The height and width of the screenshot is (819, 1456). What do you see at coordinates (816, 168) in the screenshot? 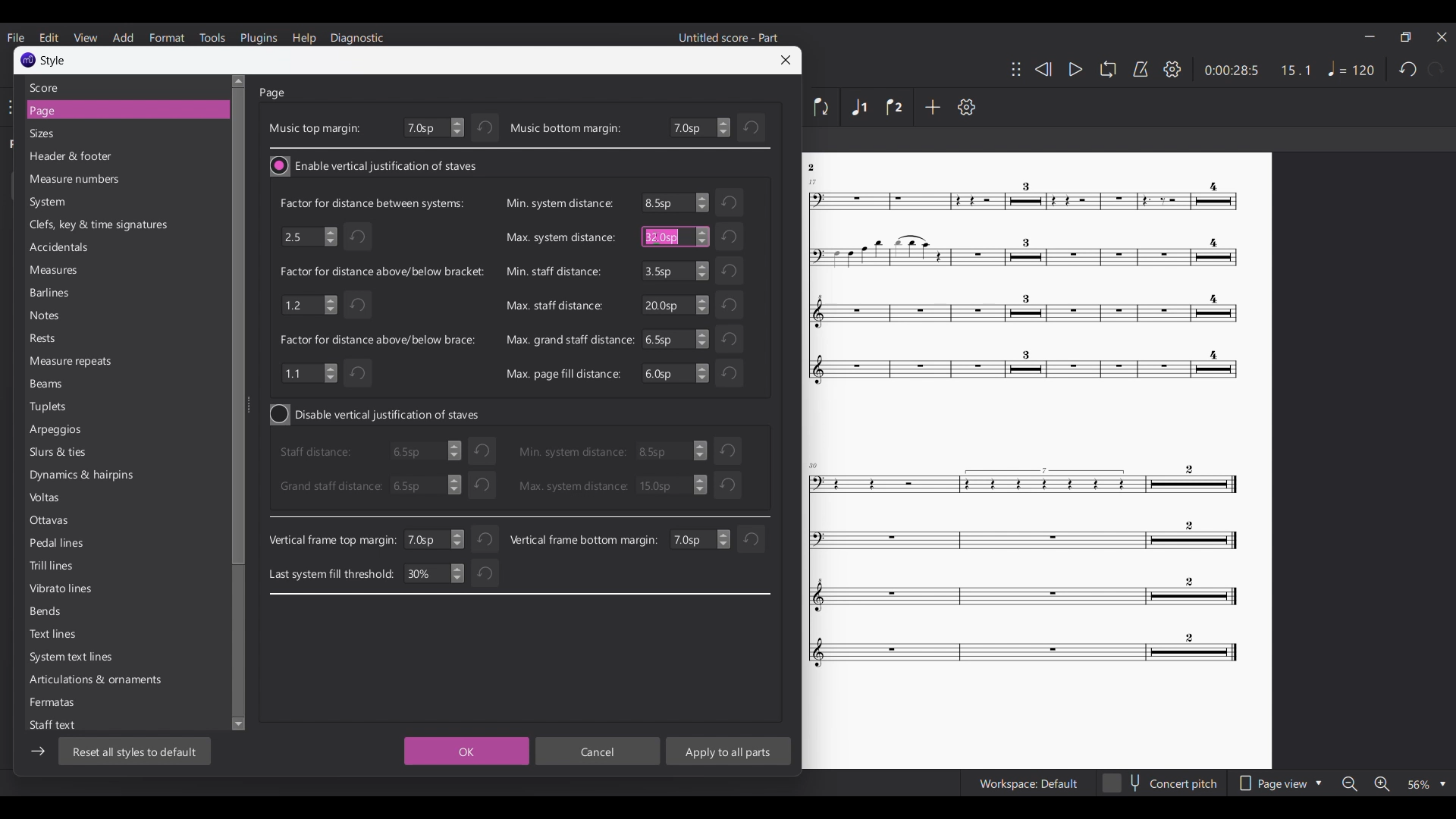
I see `` at bounding box center [816, 168].